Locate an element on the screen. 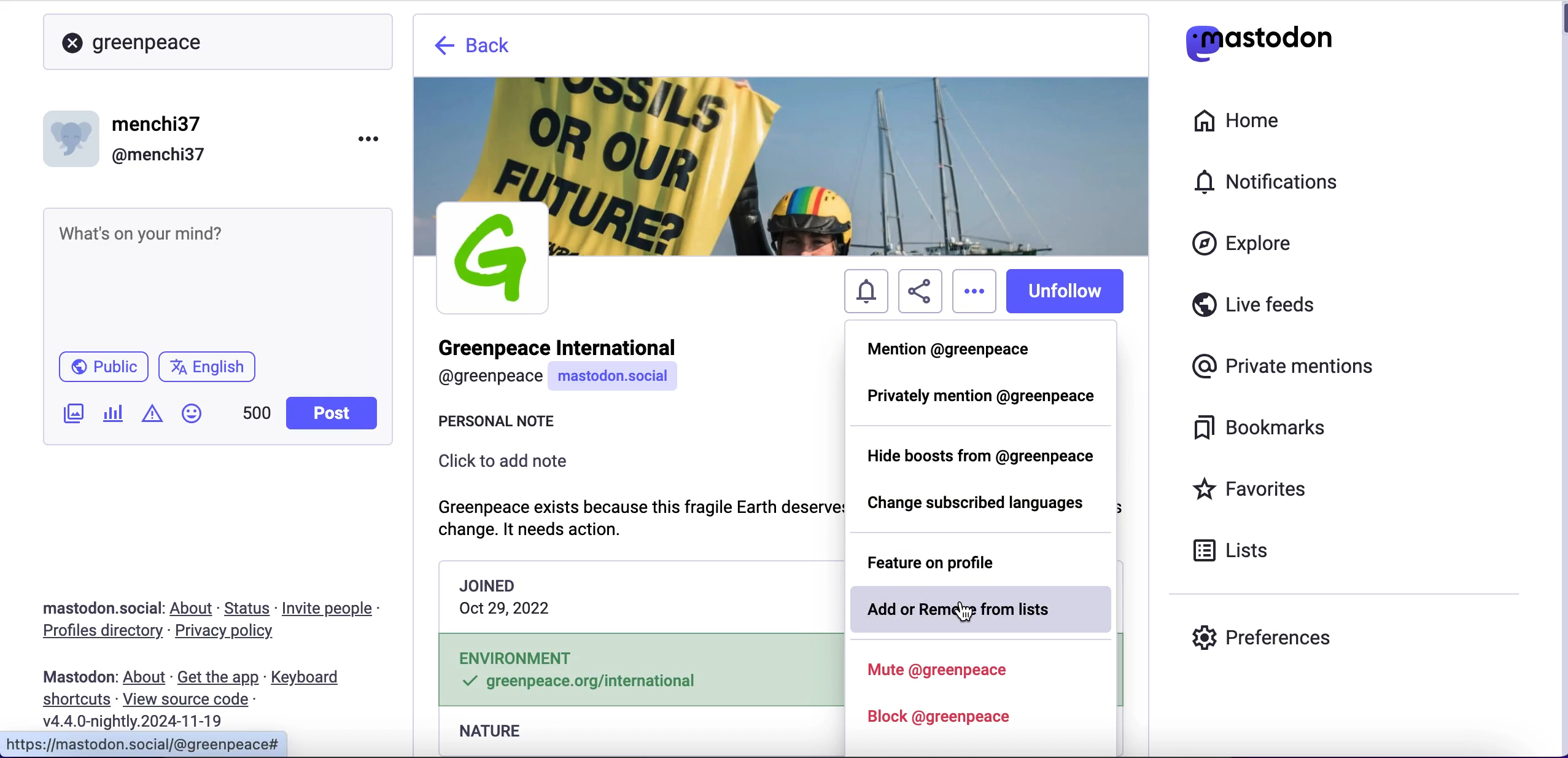  nature is located at coordinates (497, 732).